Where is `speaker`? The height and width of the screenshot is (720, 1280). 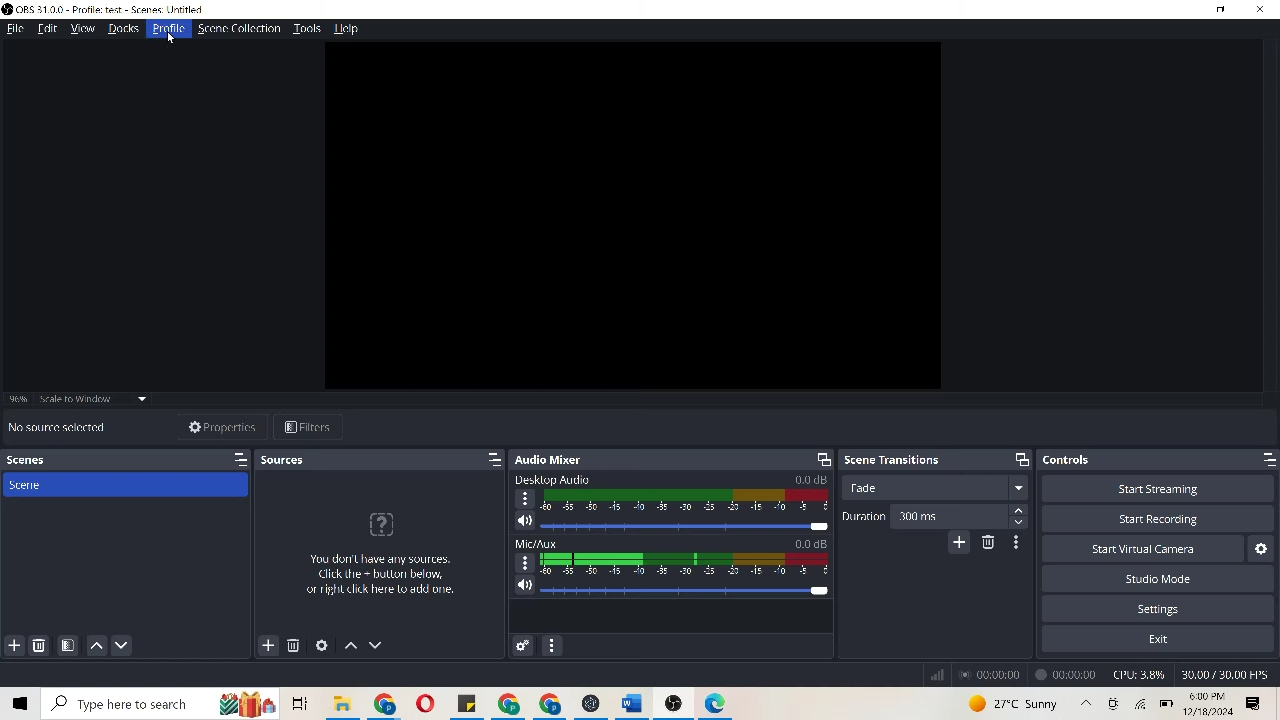 speaker is located at coordinates (524, 520).